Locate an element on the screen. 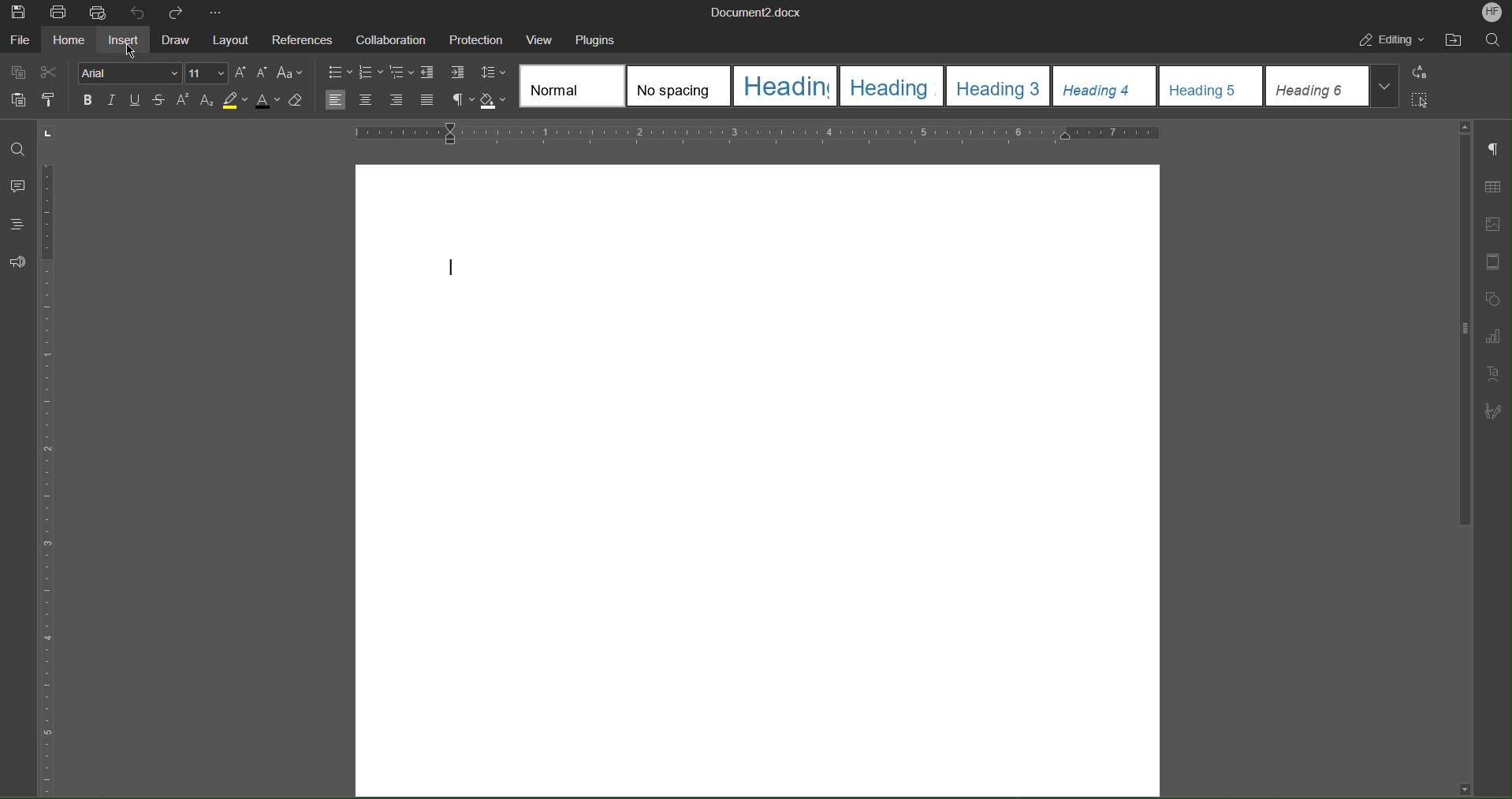 This screenshot has width=1512, height=799. Insert Image is located at coordinates (1490, 225).